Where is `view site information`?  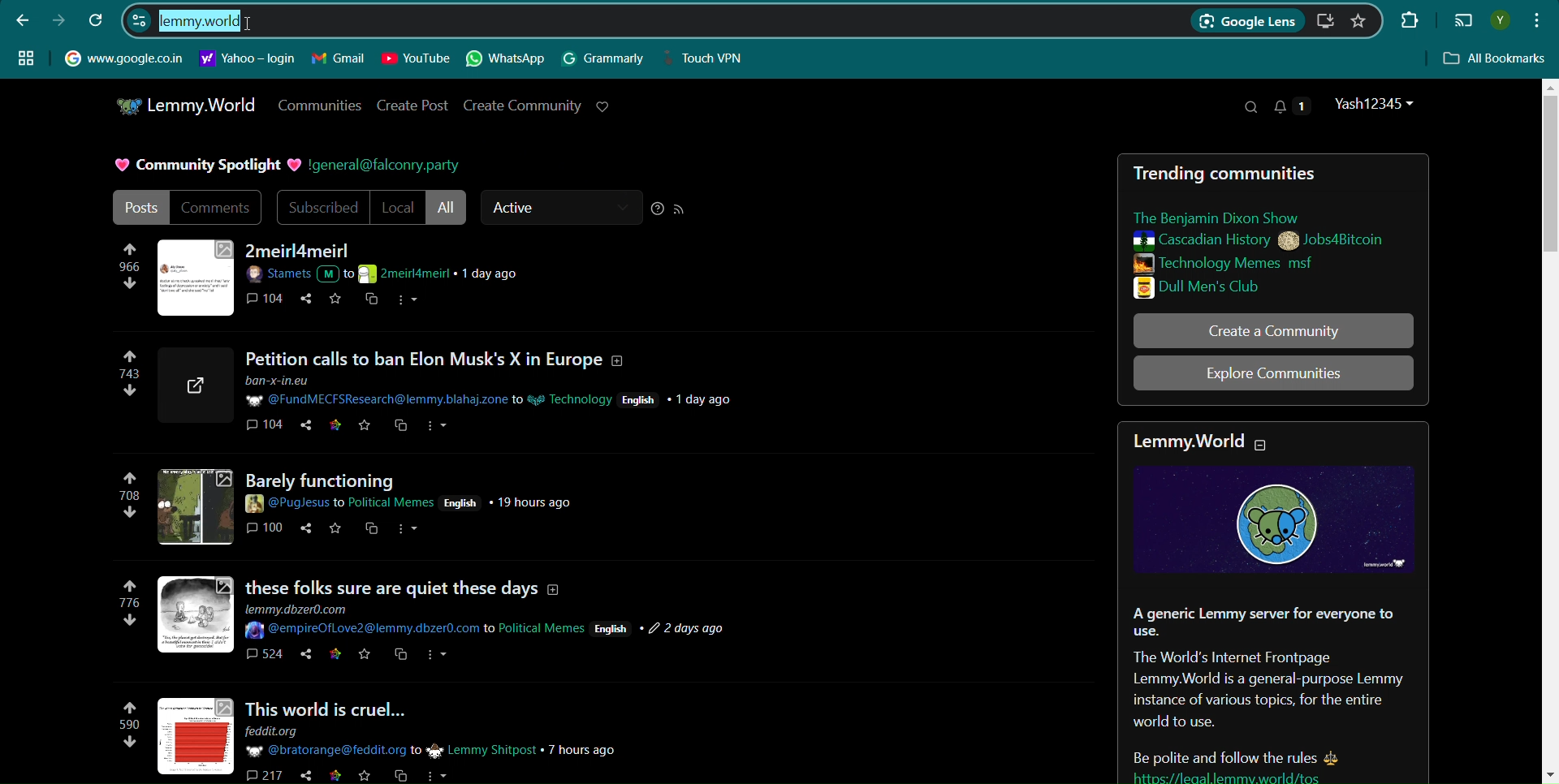
view site information is located at coordinates (139, 19).